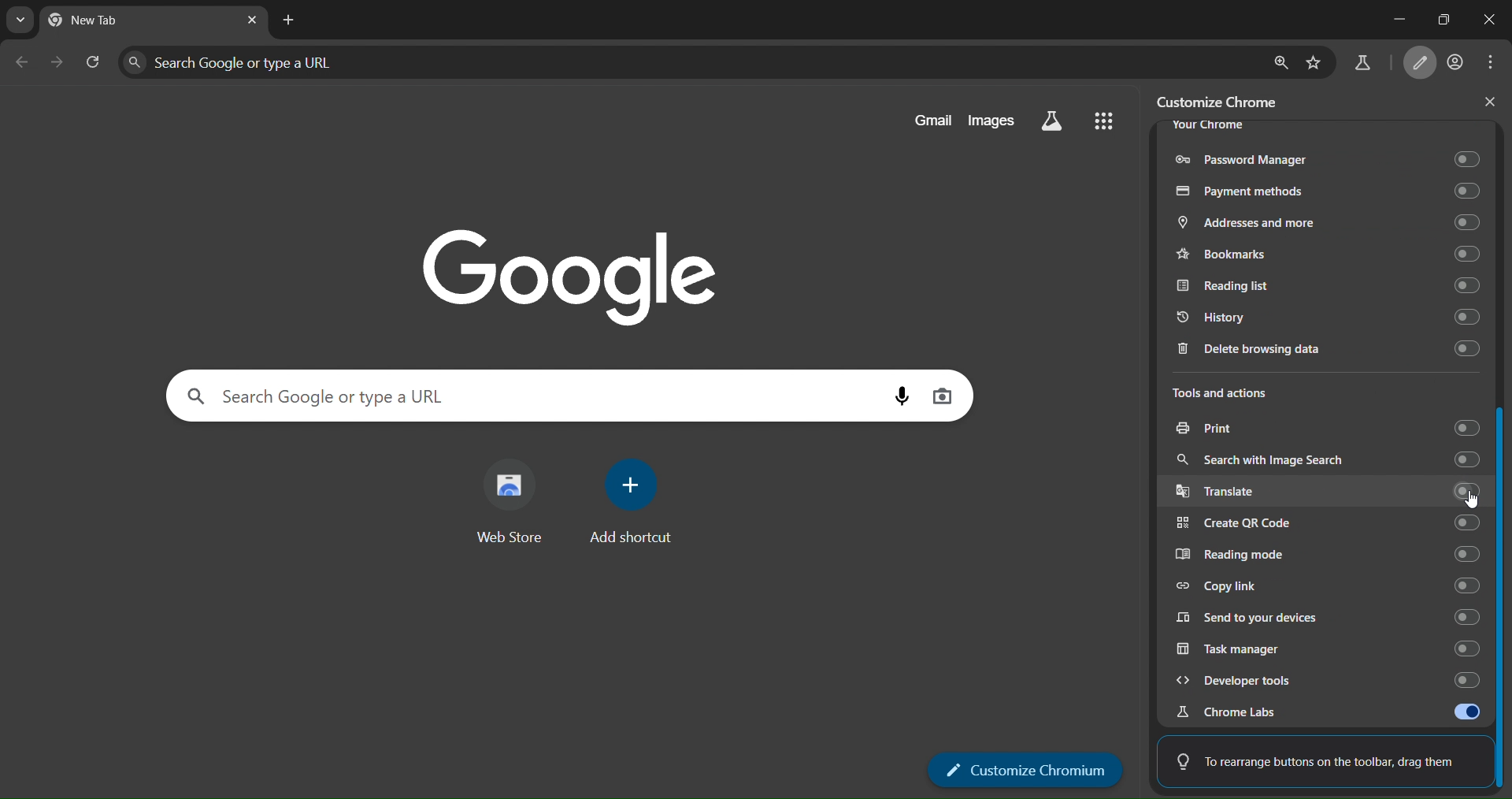 This screenshot has width=1512, height=799. I want to click on reading mode, so click(1325, 552).